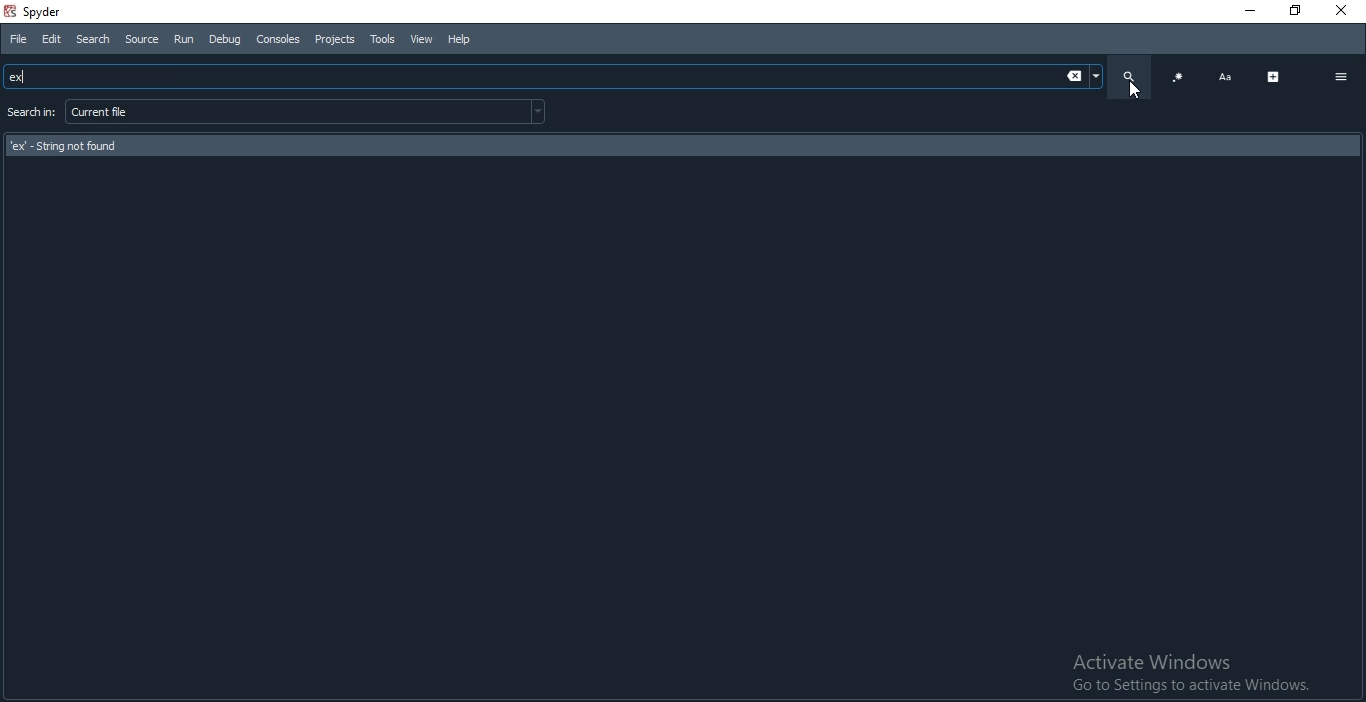  I want to click on tools, so click(382, 39).